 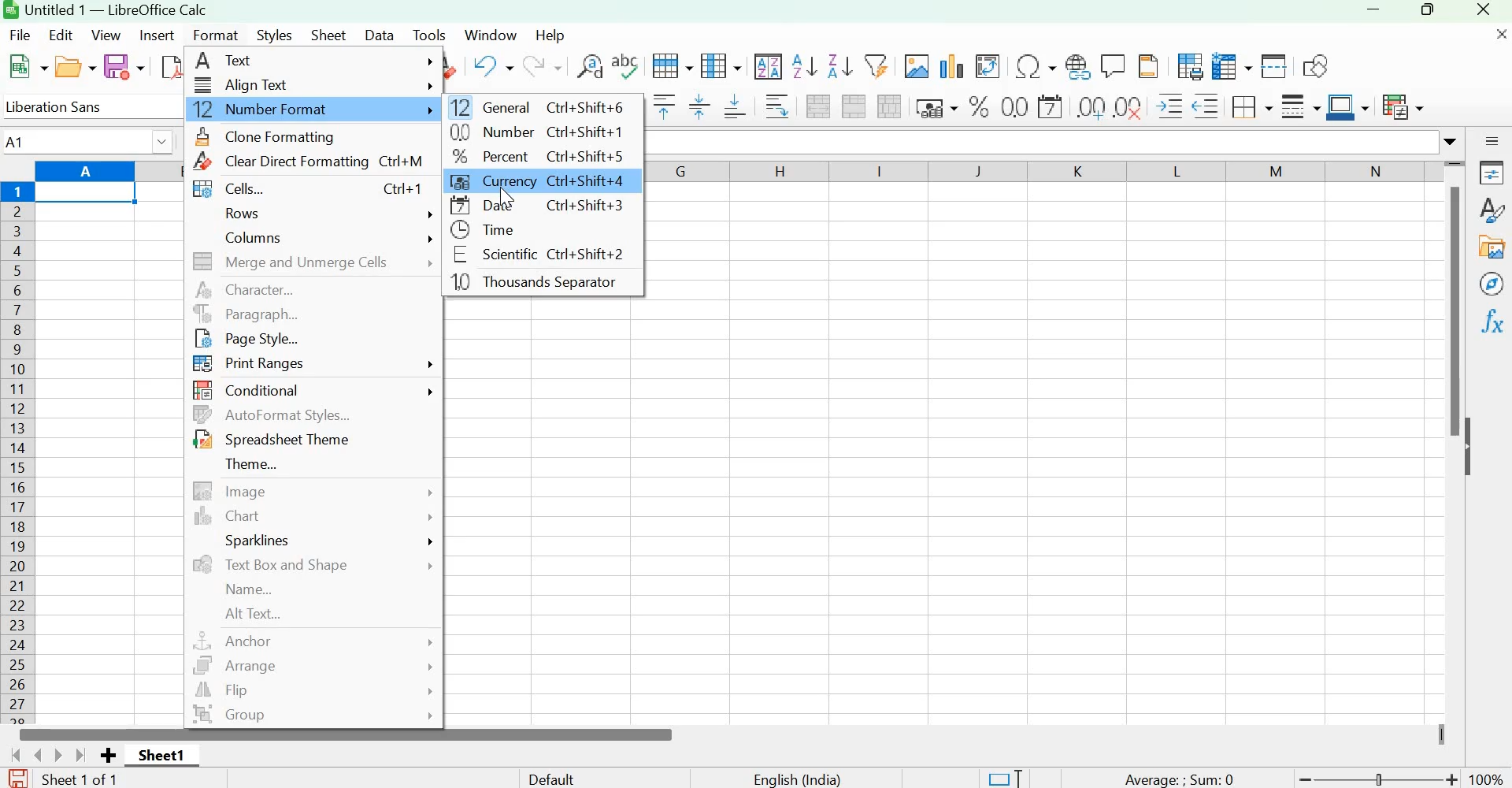 What do you see at coordinates (1004, 777) in the screenshot?
I see `Standard selection. Click to change selection mode.` at bounding box center [1004, 777].